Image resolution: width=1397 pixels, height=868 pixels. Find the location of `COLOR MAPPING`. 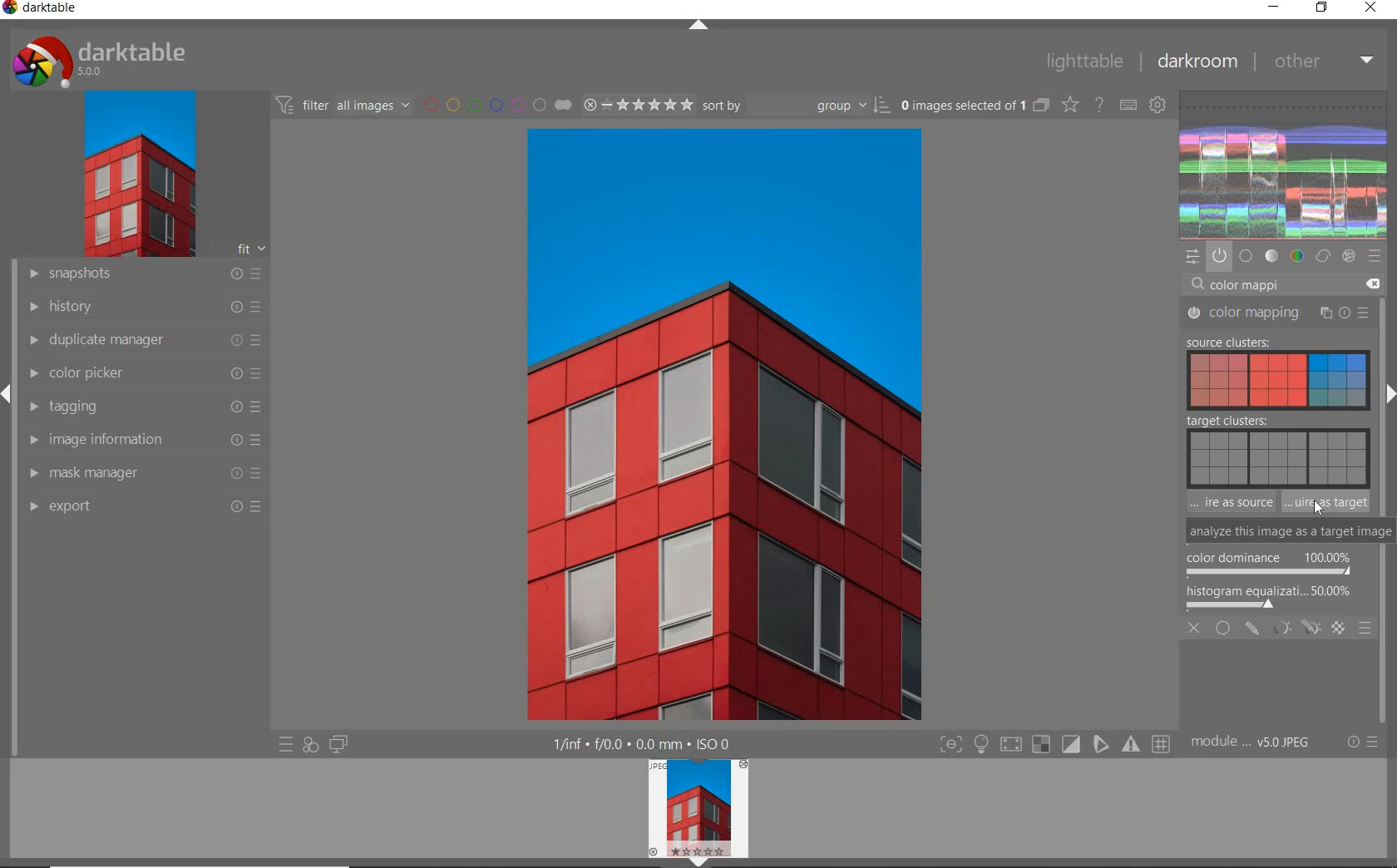

COLOR MAPPING is located at coordinates (1279, 314).